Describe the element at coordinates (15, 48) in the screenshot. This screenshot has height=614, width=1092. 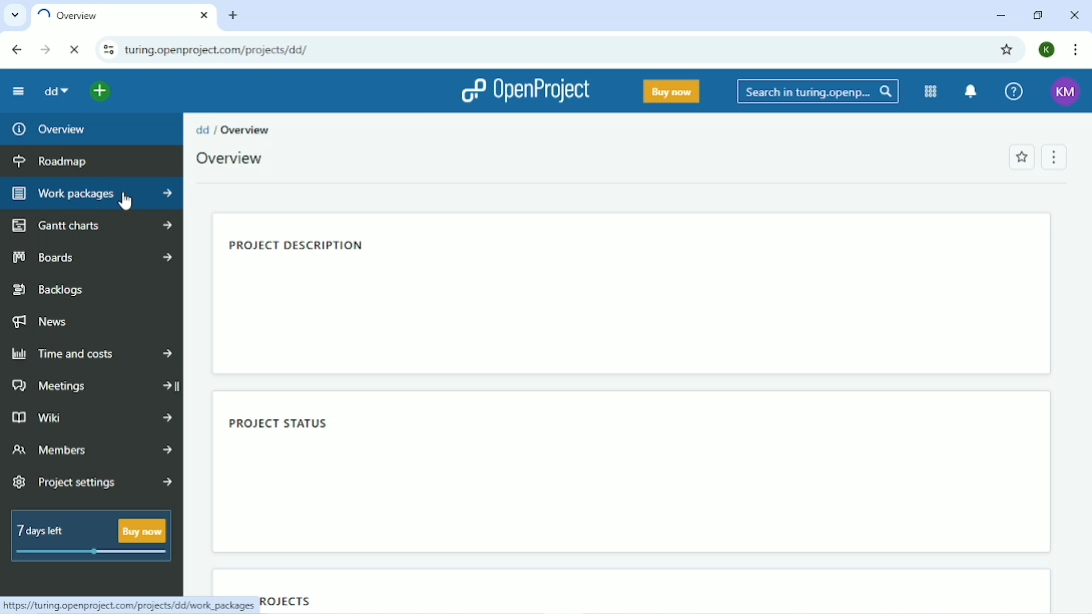
I see `Back` at that location.